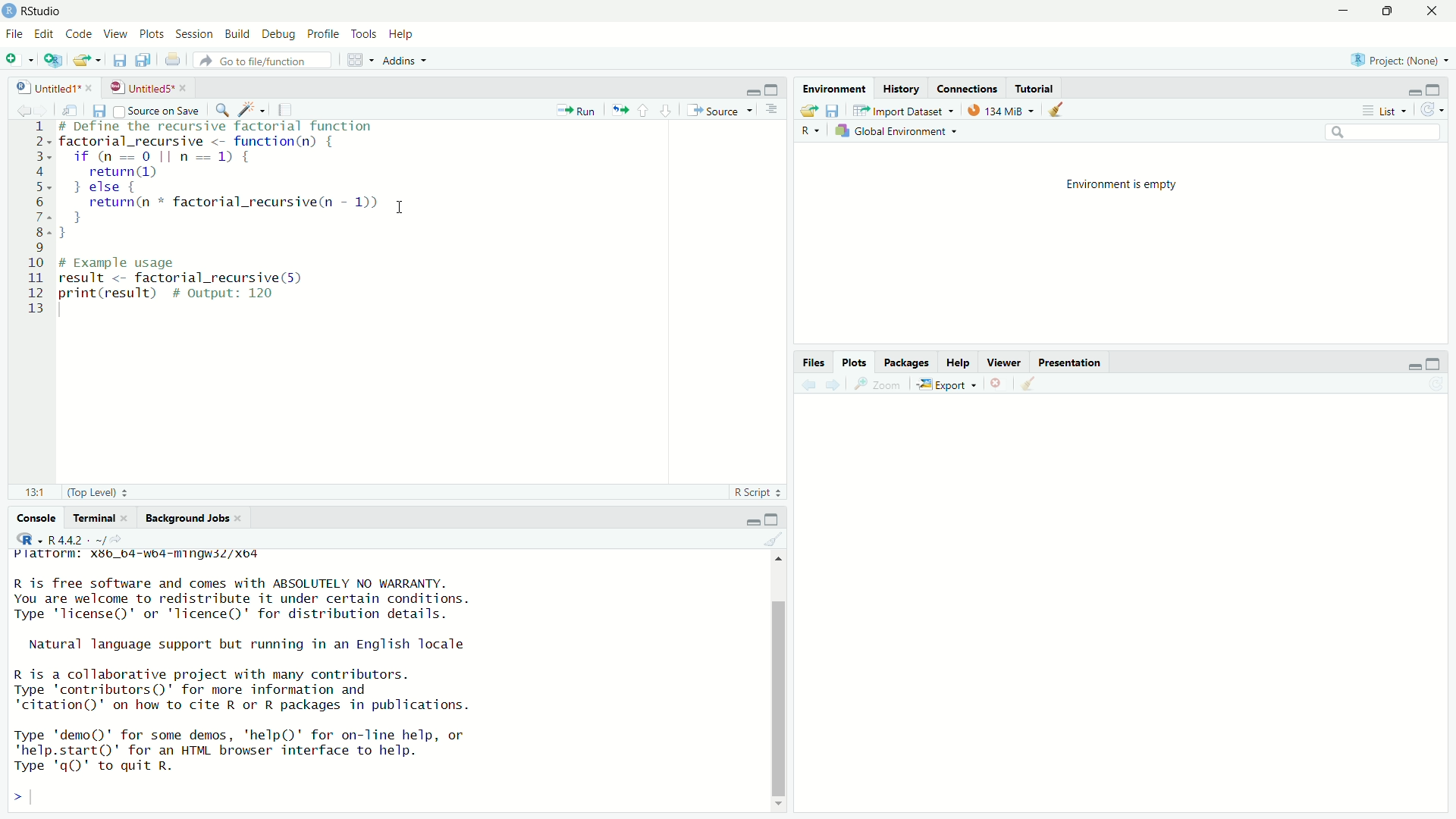 The image size is (1456, 819). What do you see at coordinates (783, 558) in the screenshot?
I see `Up` at bounding box center [783, 558].